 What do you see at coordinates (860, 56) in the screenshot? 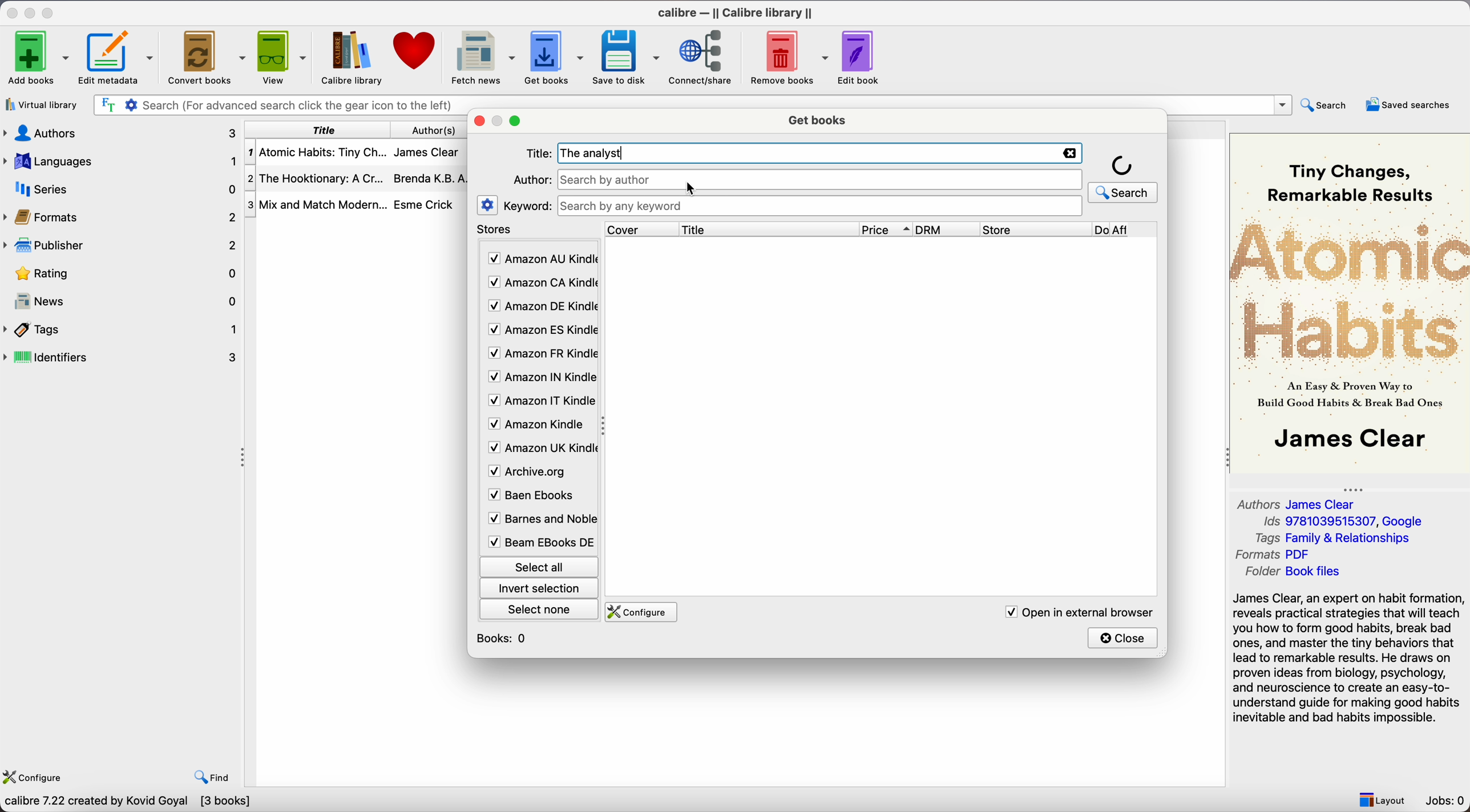
I see `edit book` at bounding box center [860, 56].